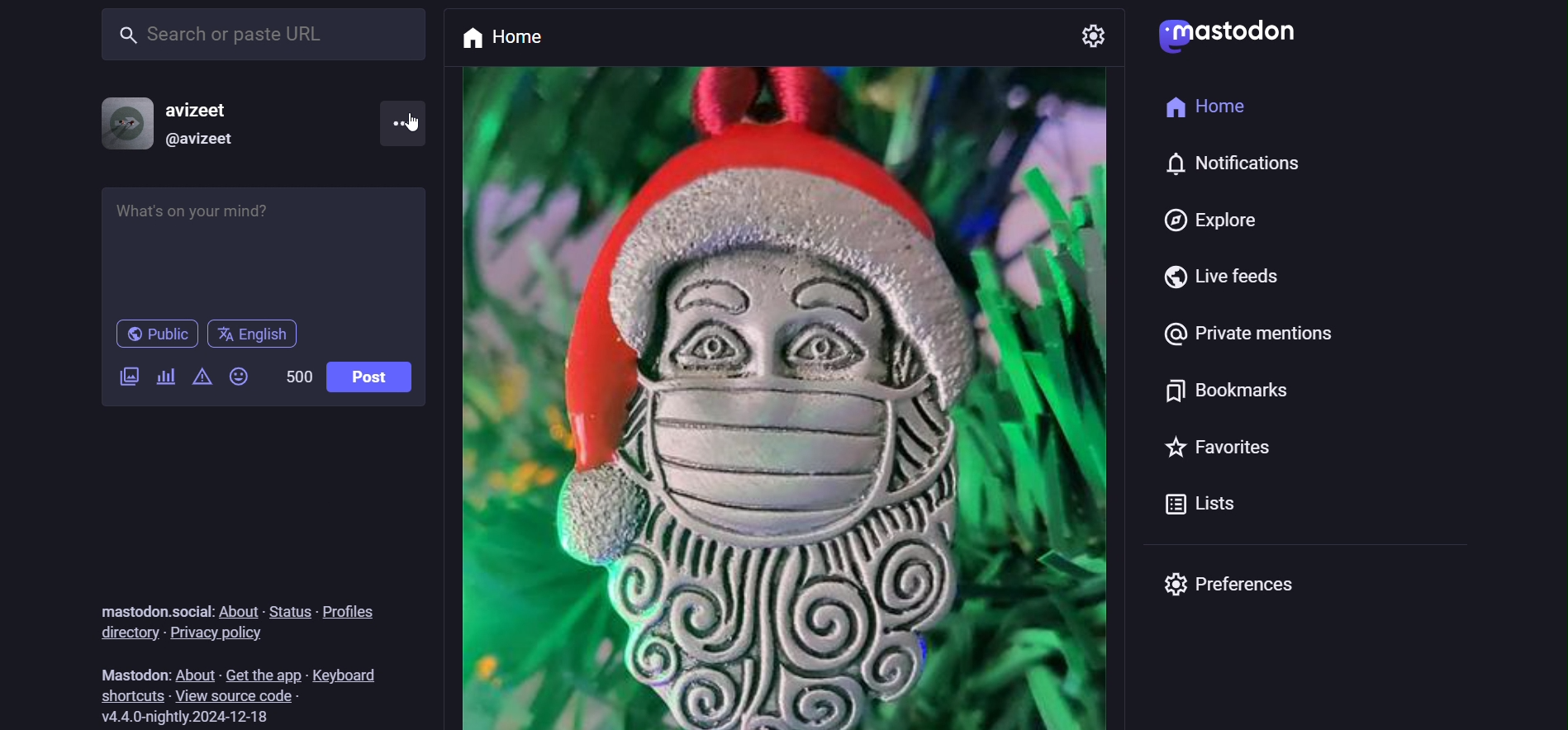  Describe the element at coordinates (242, 694) in the screenshot. I see `view source code` at that location.